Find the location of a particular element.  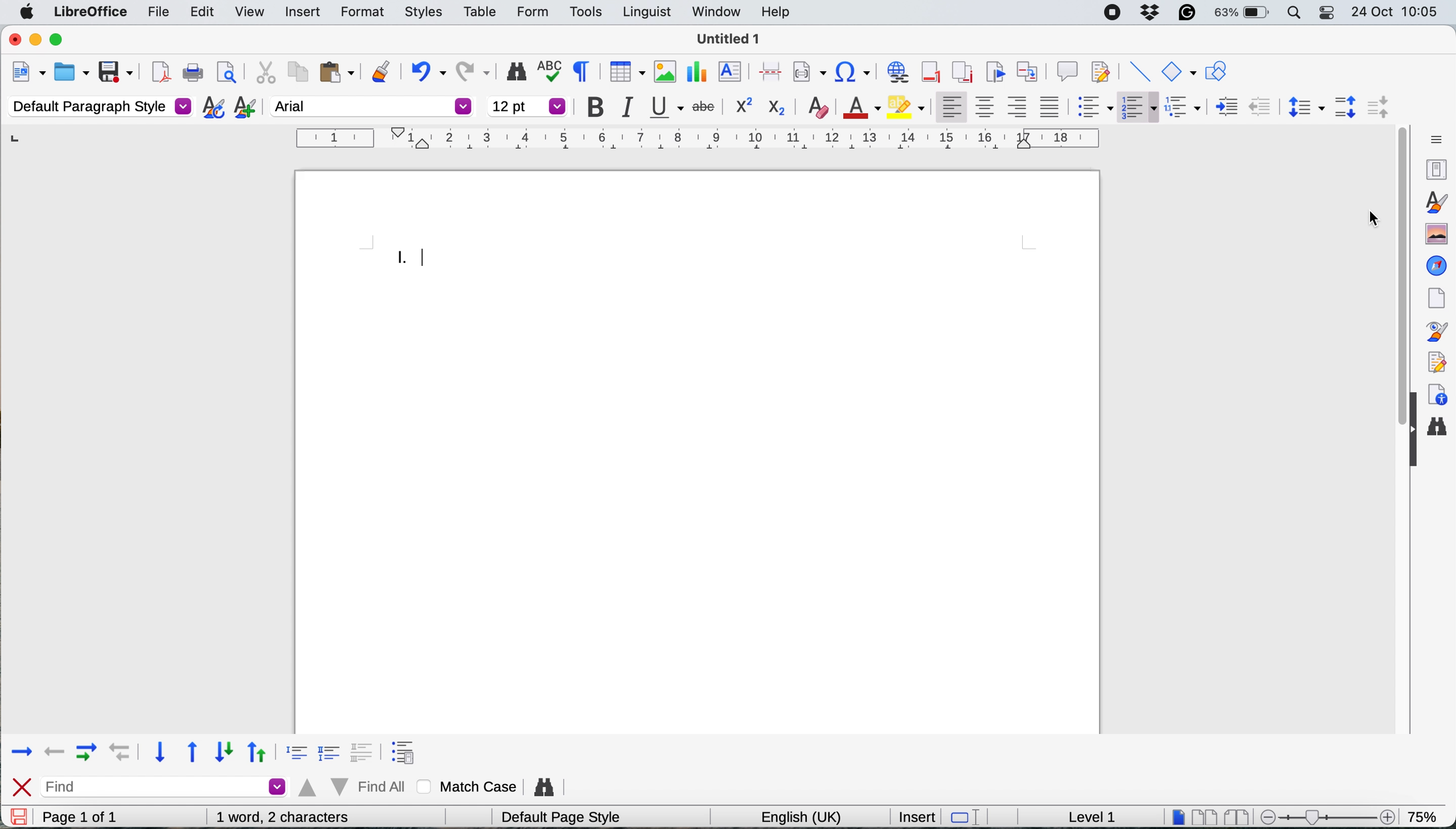

insert special character is located at coordinates (854, 72).